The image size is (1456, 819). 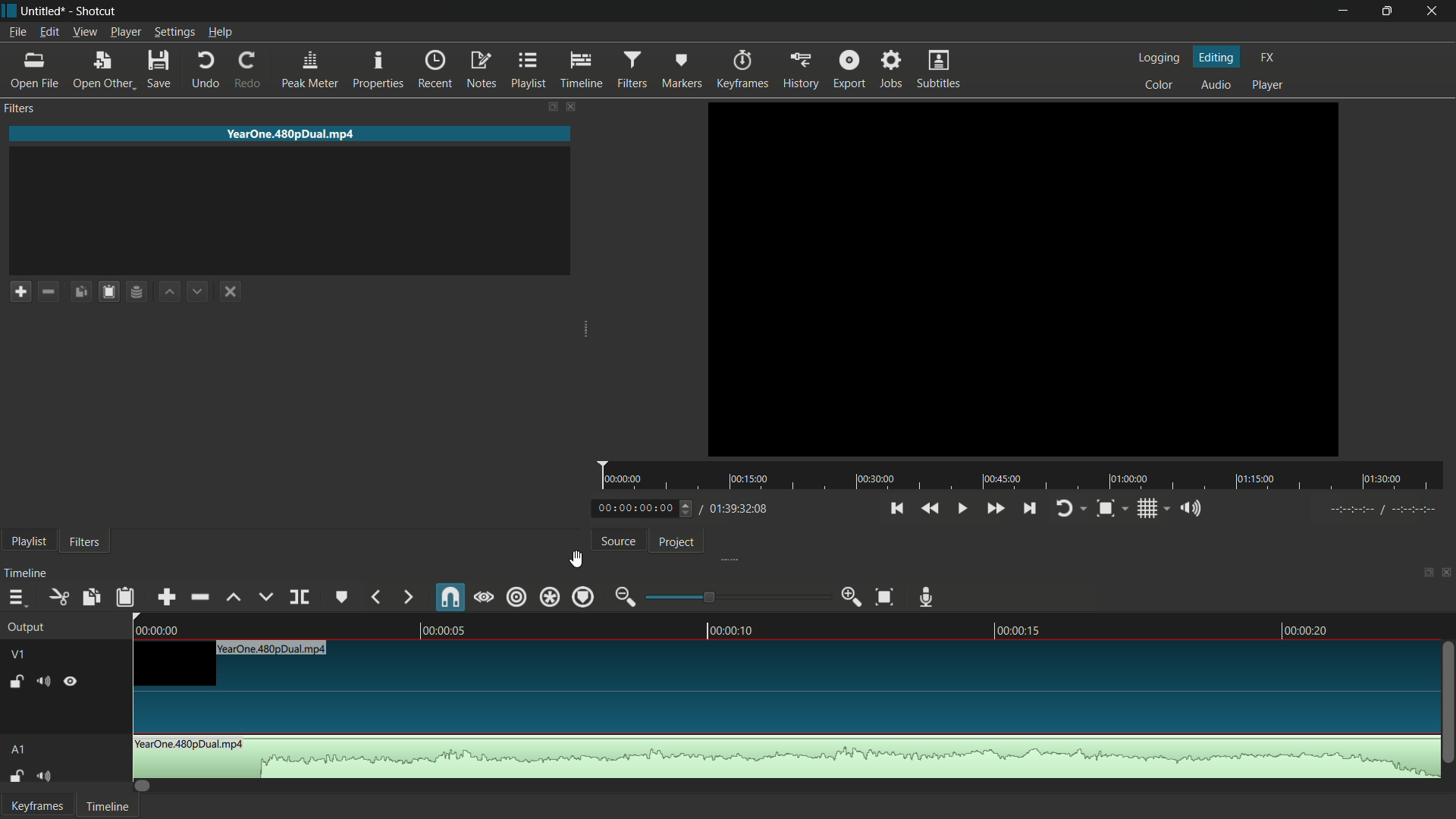 I want to click on mute, so click(x=44, y=682).